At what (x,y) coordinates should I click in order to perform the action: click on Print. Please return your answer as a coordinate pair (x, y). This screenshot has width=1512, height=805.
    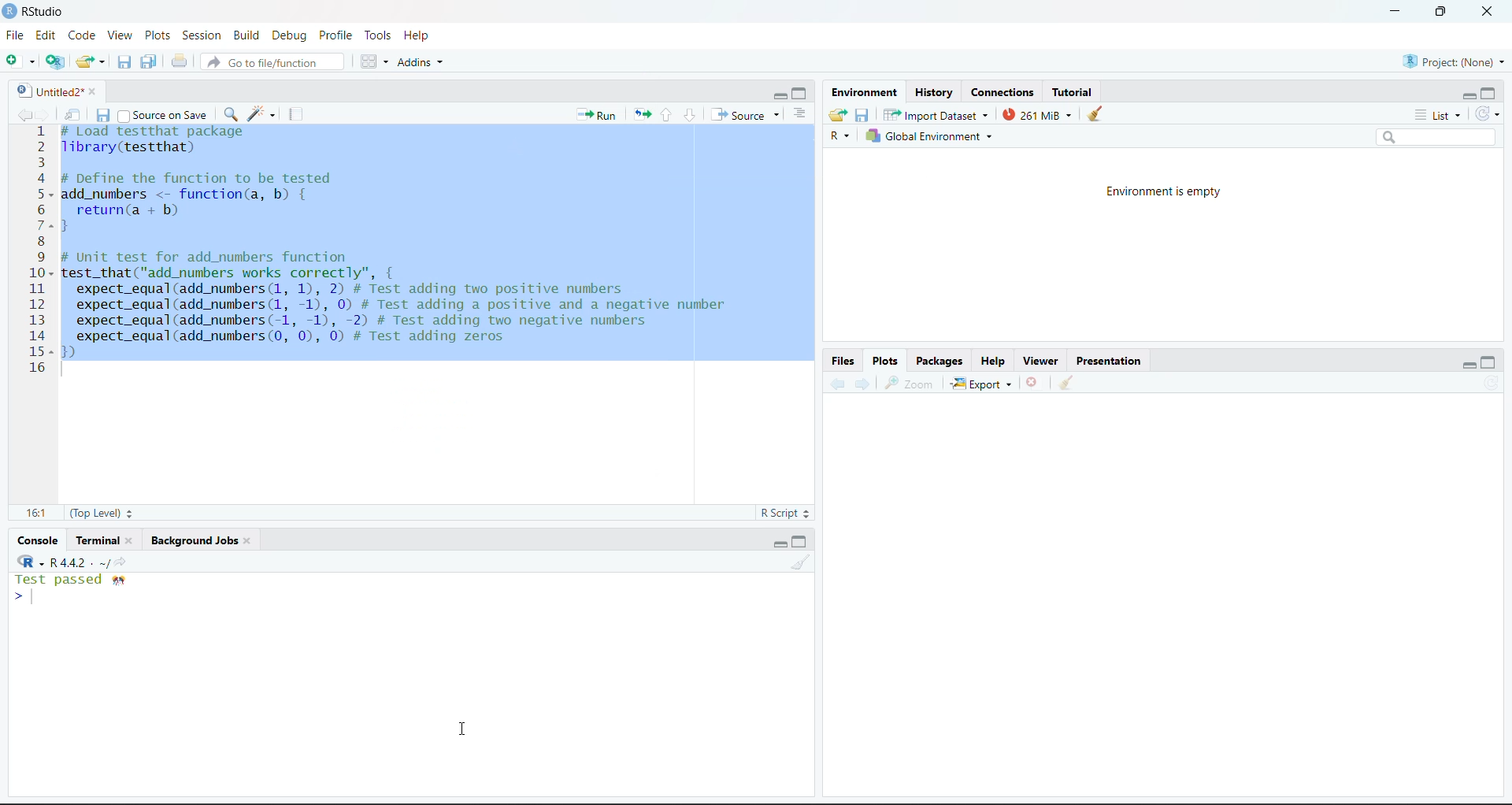
    Looking at the image, I should click on (180, 61).